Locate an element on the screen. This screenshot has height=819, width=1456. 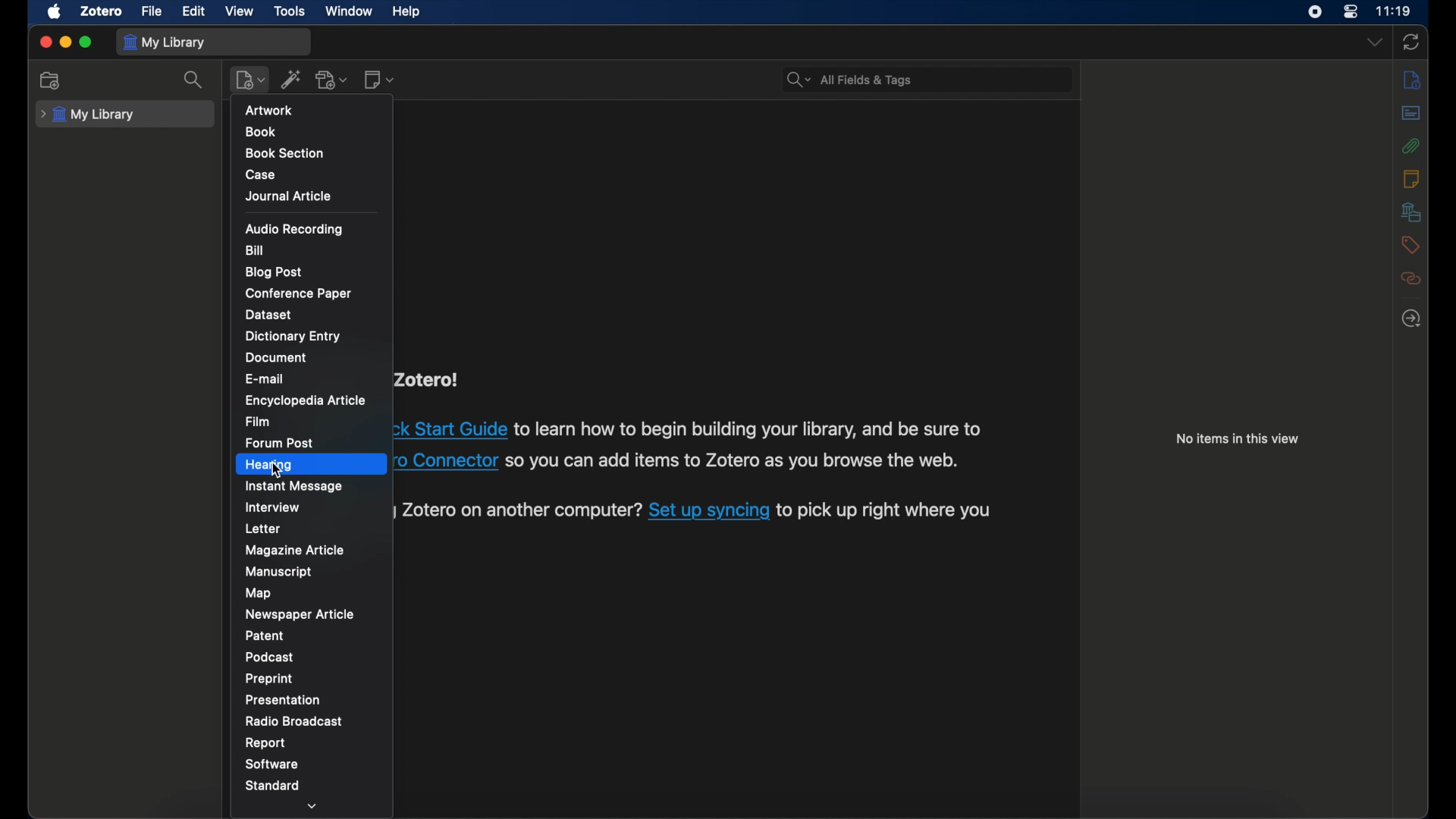
dictionary entry is located at coordinates (296, 337).